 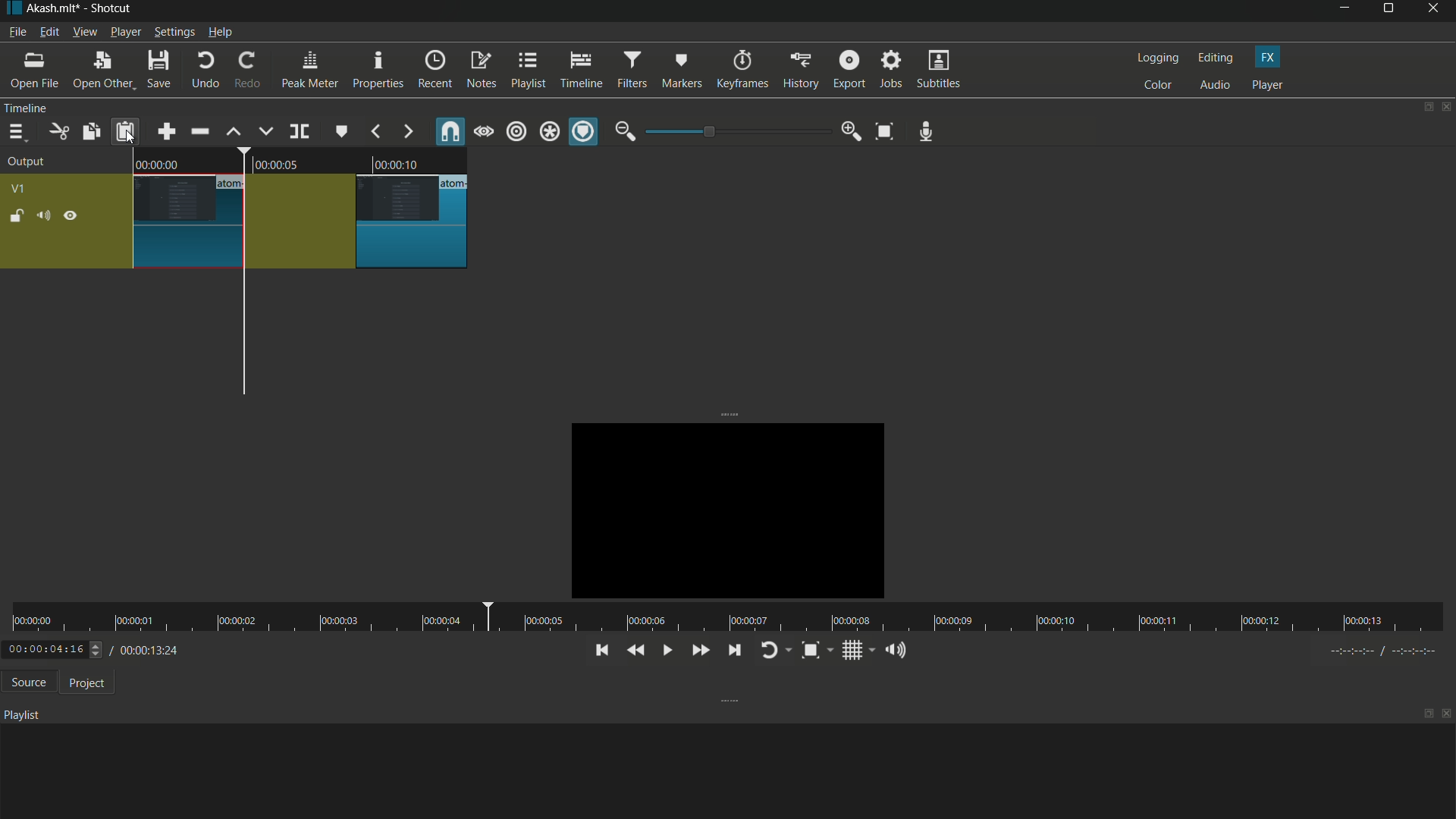 I want to click on total time, so click(x=168, y=692).